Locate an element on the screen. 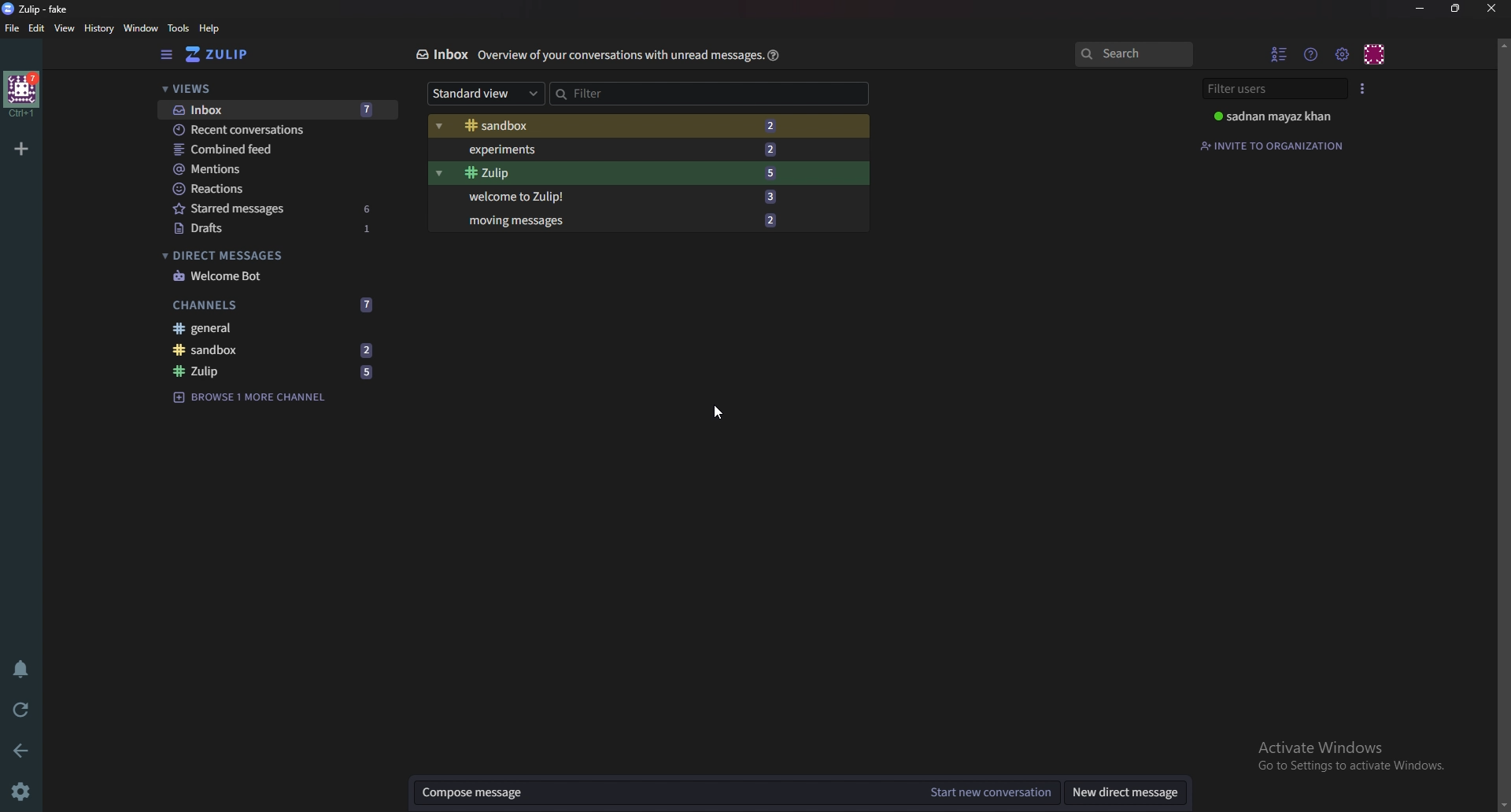 This screenshot has width=1511, height=812. Welcome to Zulip 3 is located at coordinates (619, 196).